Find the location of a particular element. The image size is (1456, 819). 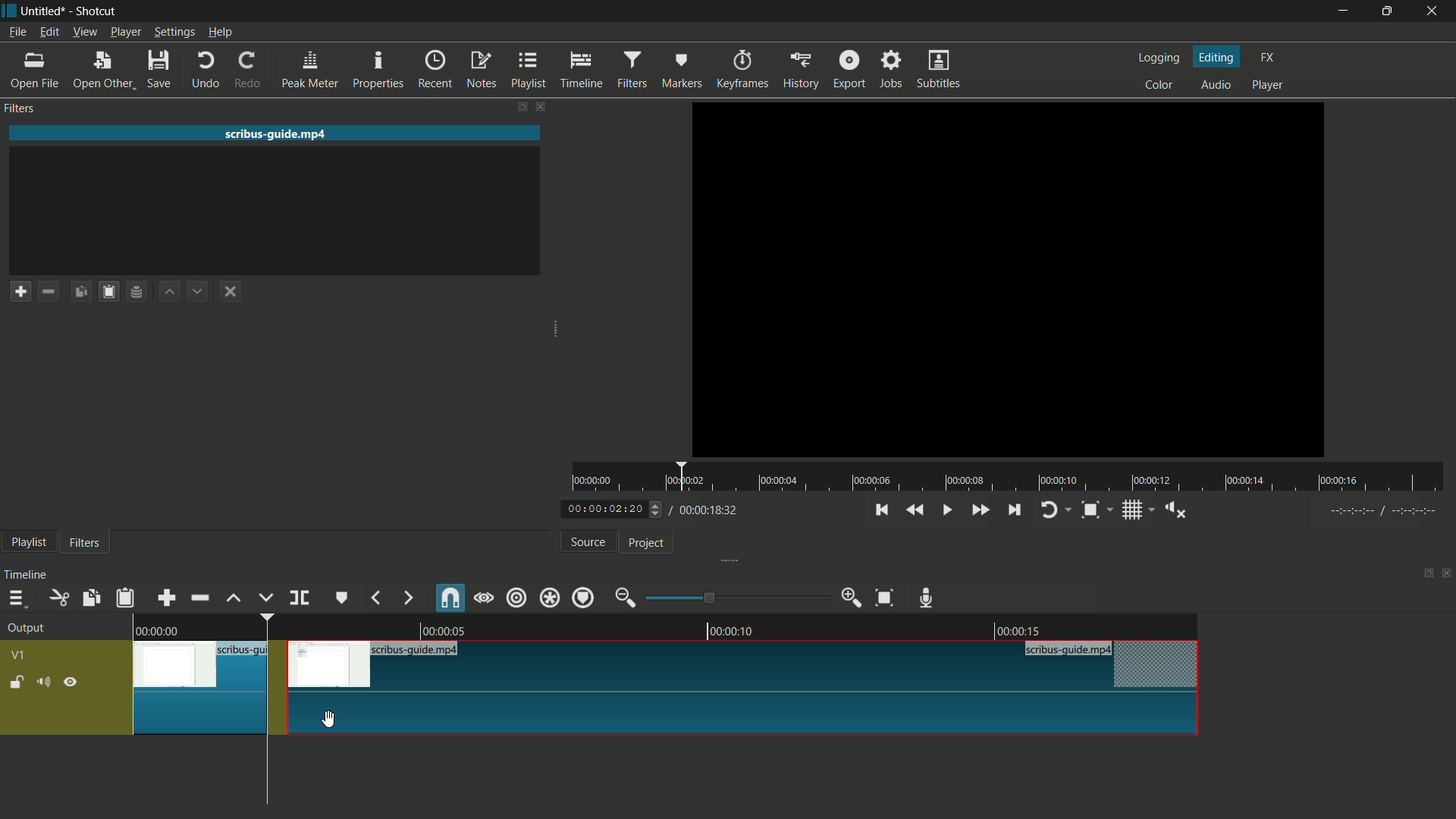

imported file name is located at coordinates (276, 133).